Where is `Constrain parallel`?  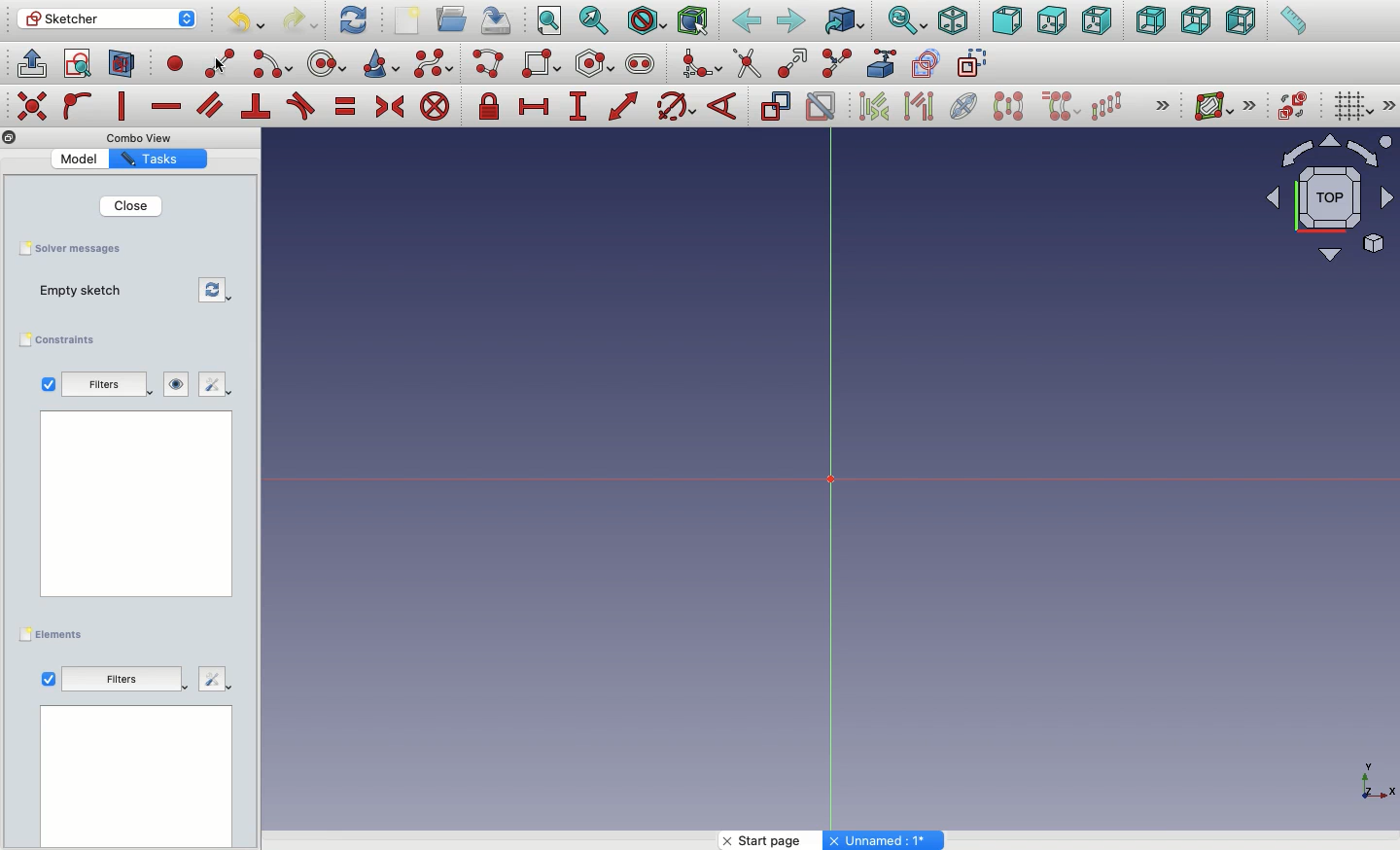 Constrain parallel is located at coordinates (210, 105).